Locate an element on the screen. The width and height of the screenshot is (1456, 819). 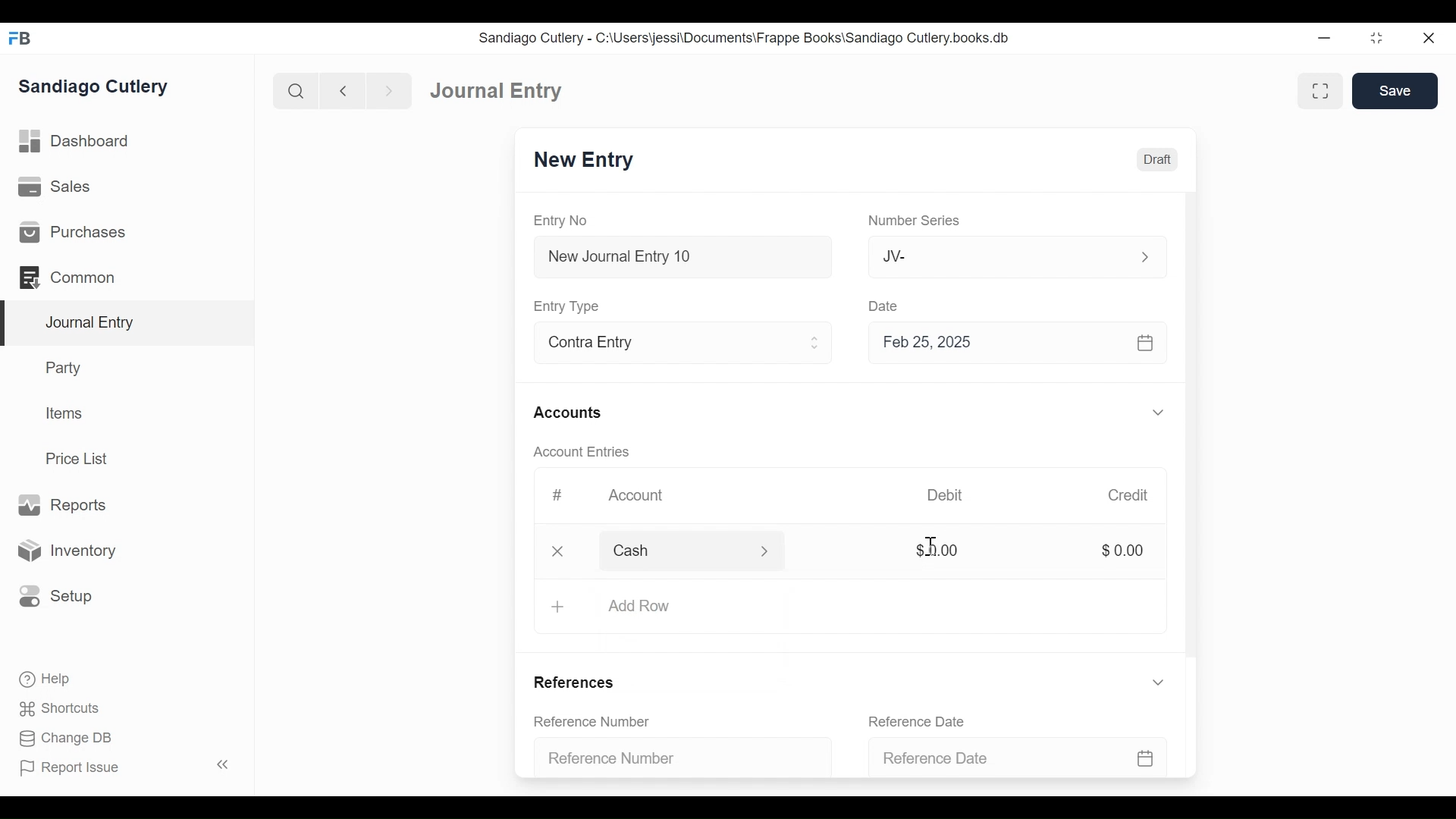
JV- is located at coordinates (998, 256).